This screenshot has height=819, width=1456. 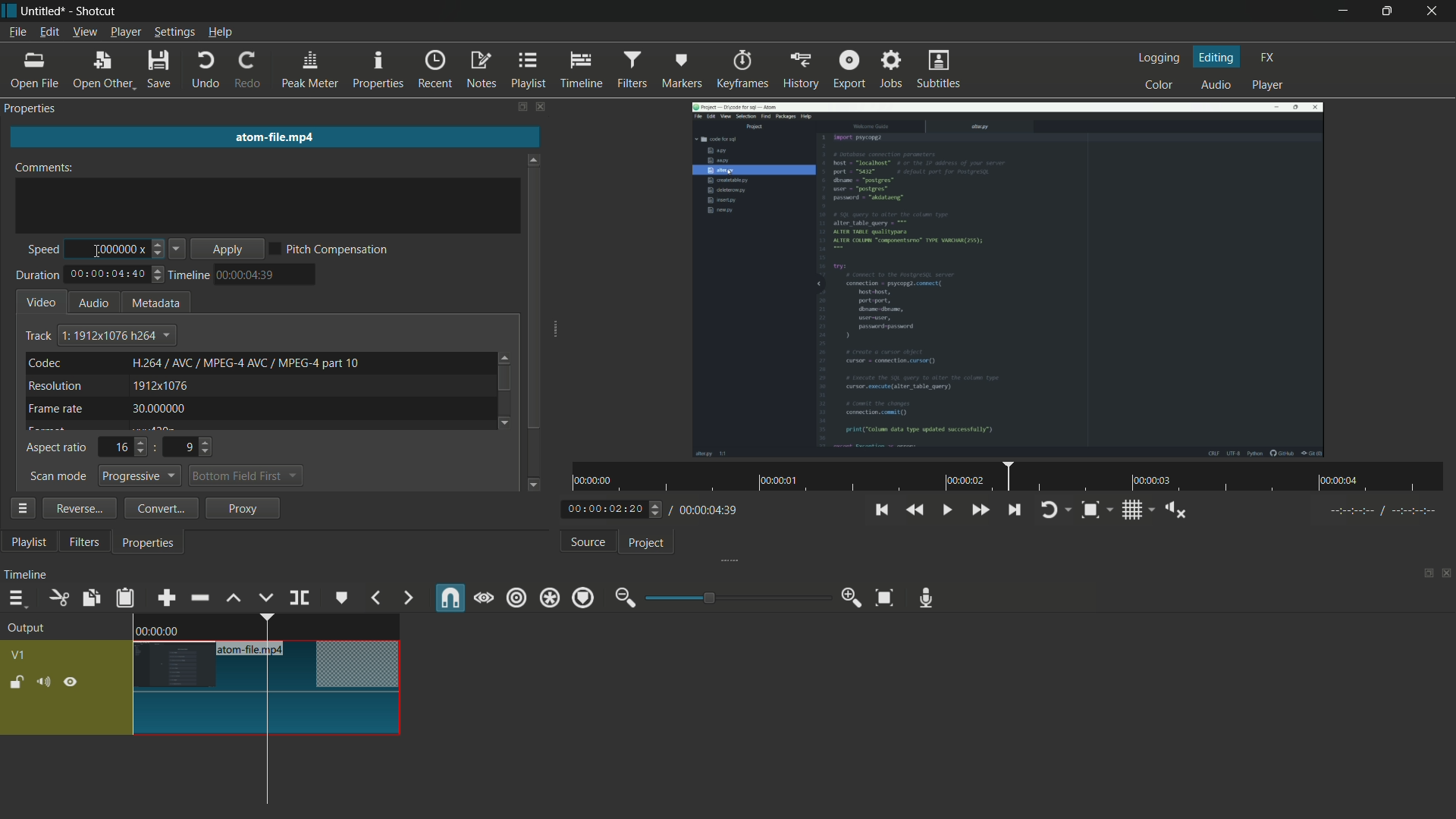 I want to click on quickly play forward, so click(x=982, y=511).